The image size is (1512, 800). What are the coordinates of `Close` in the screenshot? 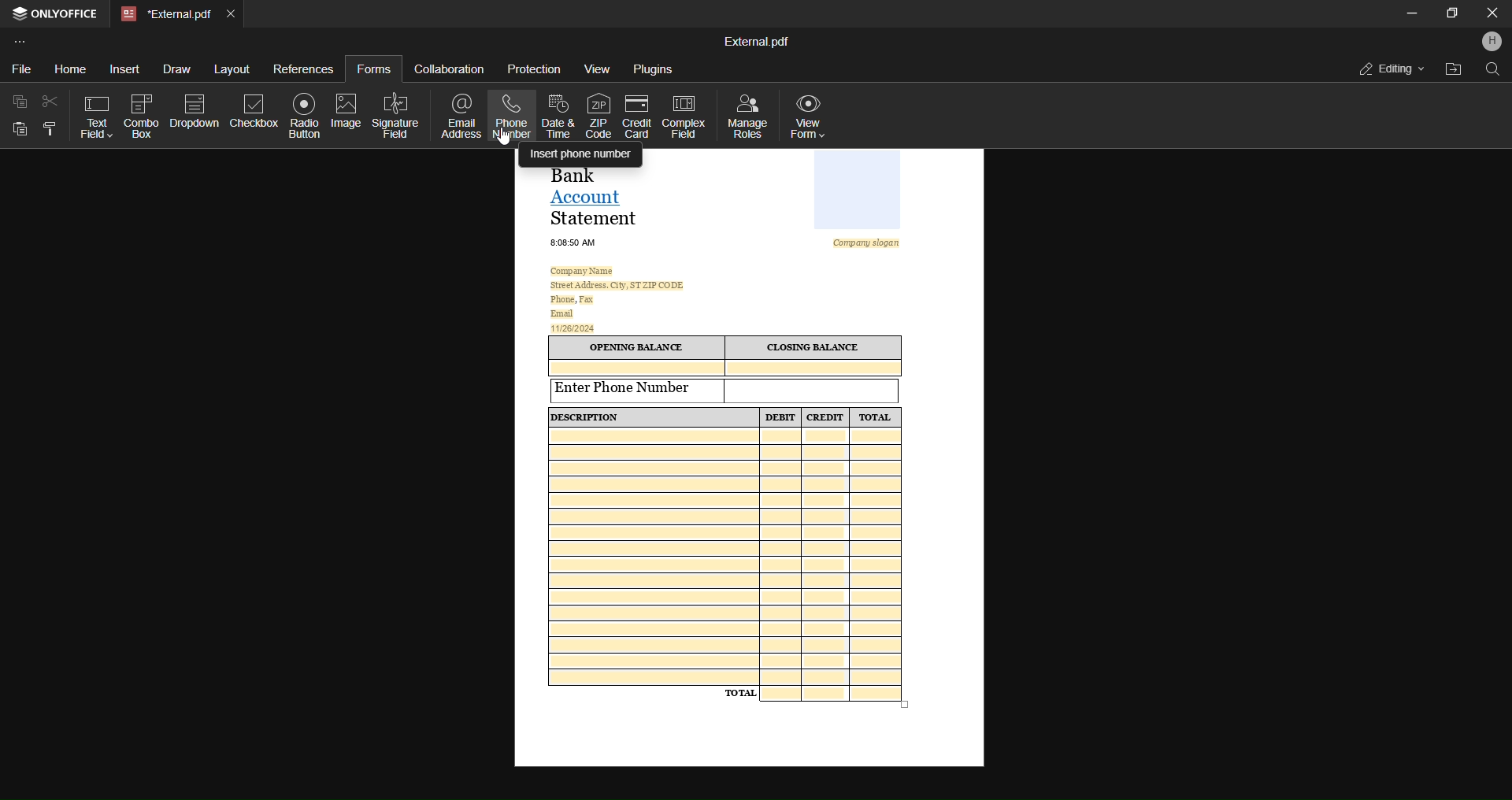 It's located at (1489, 13).